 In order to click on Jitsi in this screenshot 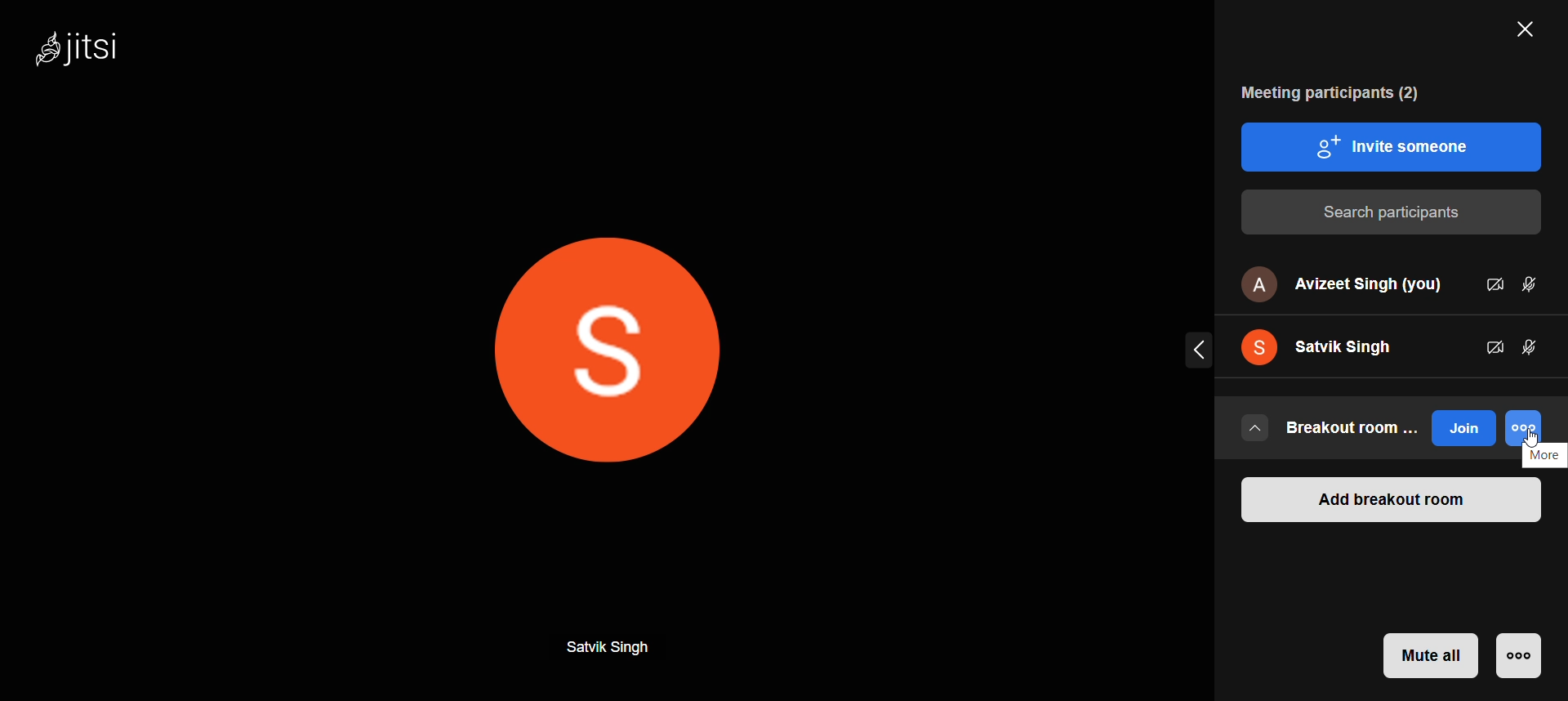, I will do `click(100, 55)`.